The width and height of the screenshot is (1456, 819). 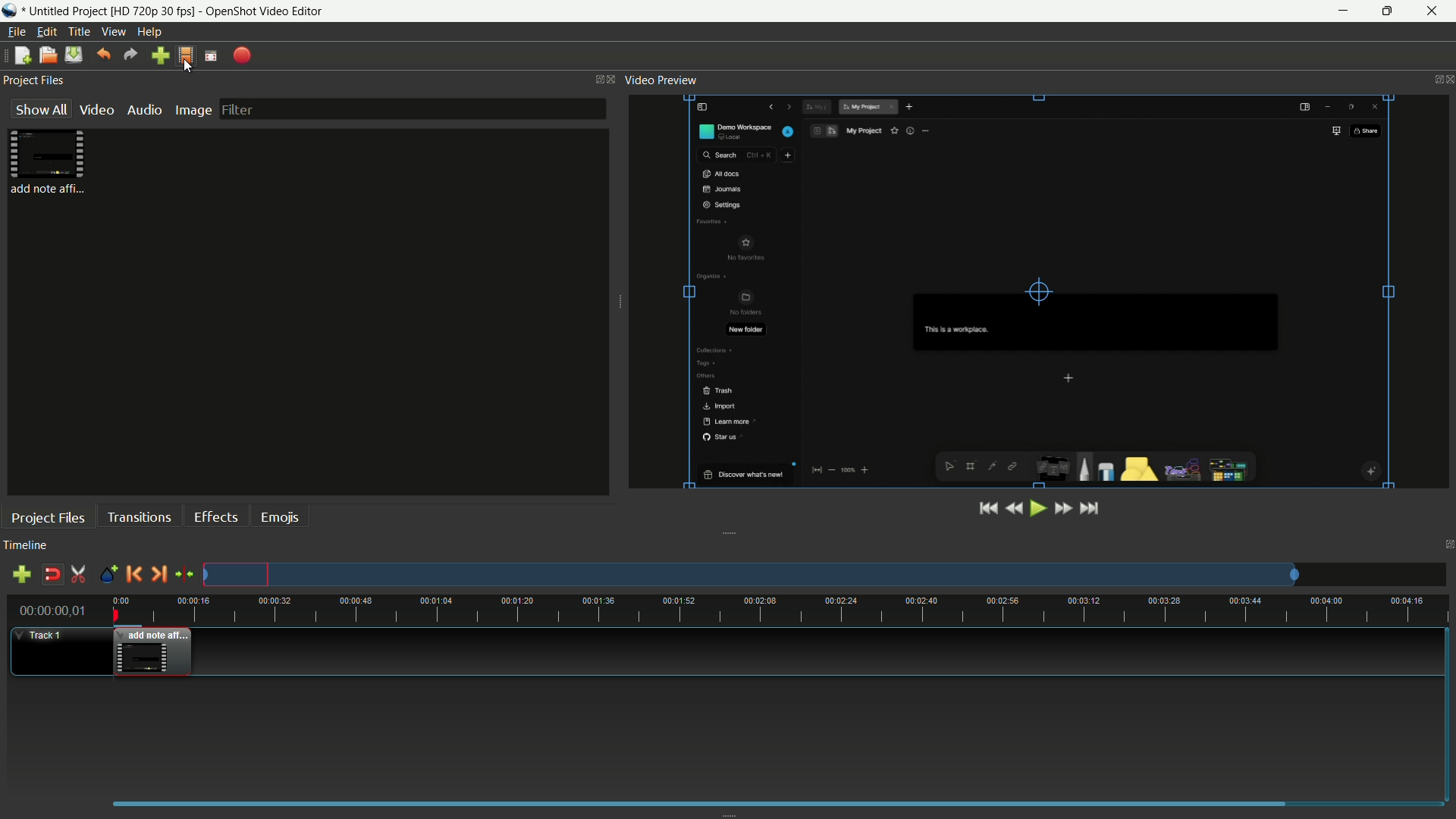 What do you see at coordinates (47, 32) in the screenshot?
I see `edit menu` at bounding box center [47, 32].